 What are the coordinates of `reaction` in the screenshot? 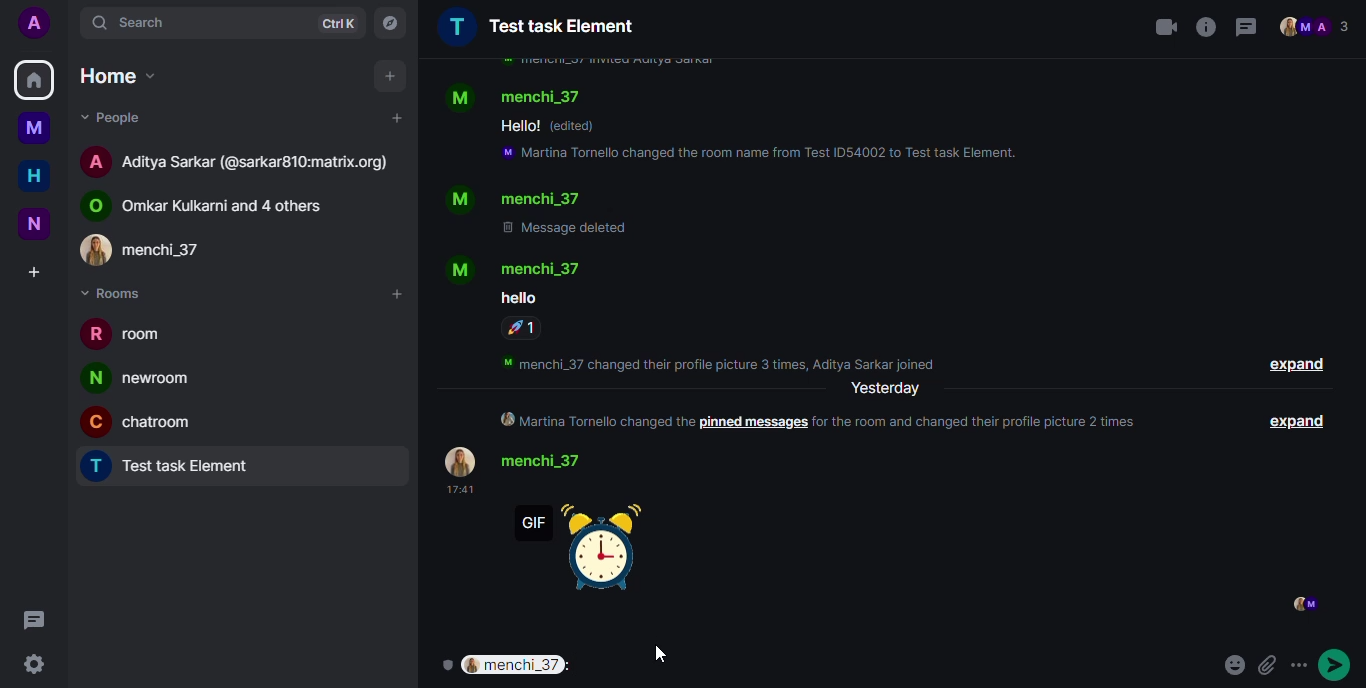 It's located at (523, 328).